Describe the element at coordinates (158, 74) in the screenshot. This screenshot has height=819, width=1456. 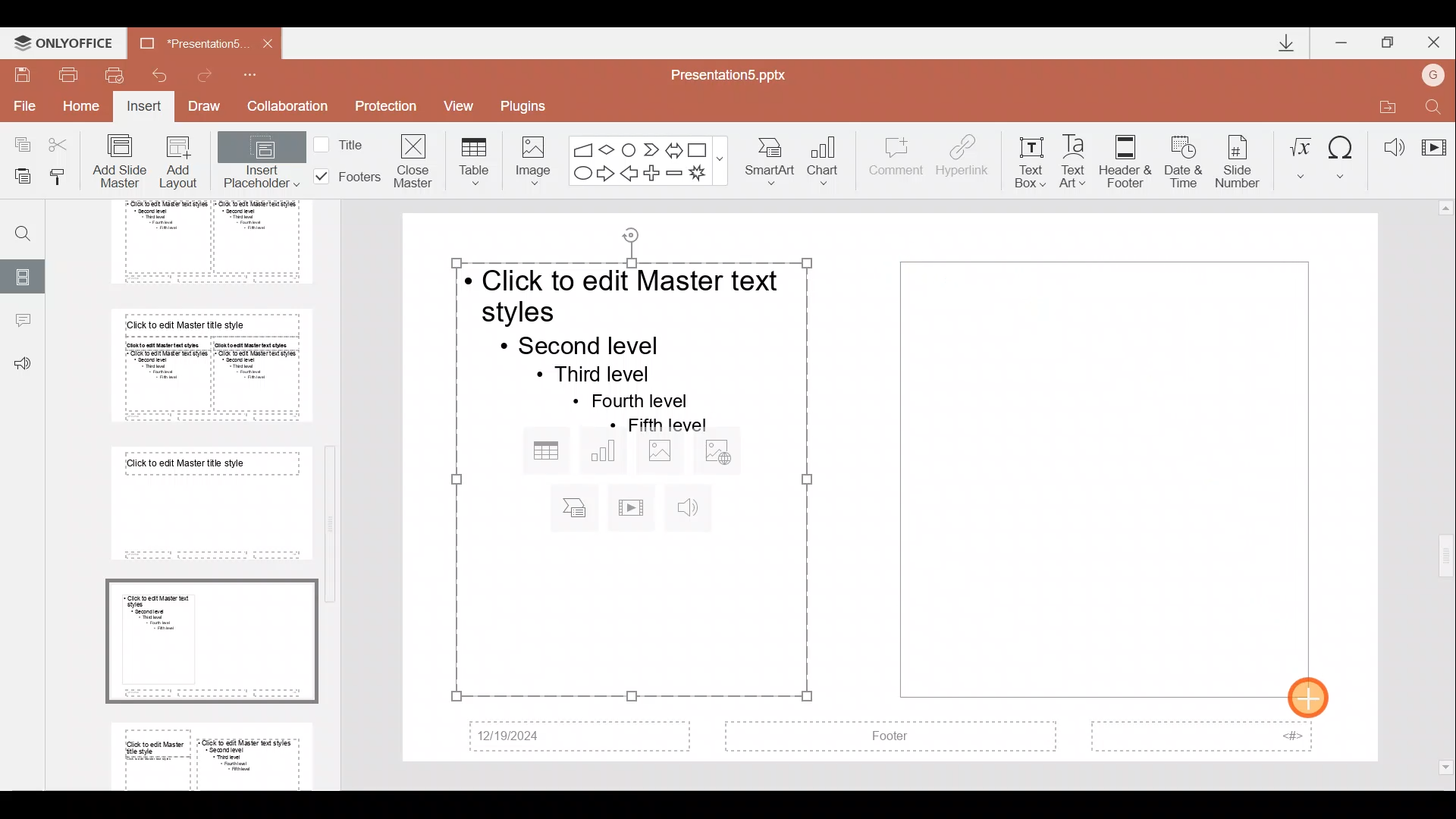
I see `Undo` at that location.